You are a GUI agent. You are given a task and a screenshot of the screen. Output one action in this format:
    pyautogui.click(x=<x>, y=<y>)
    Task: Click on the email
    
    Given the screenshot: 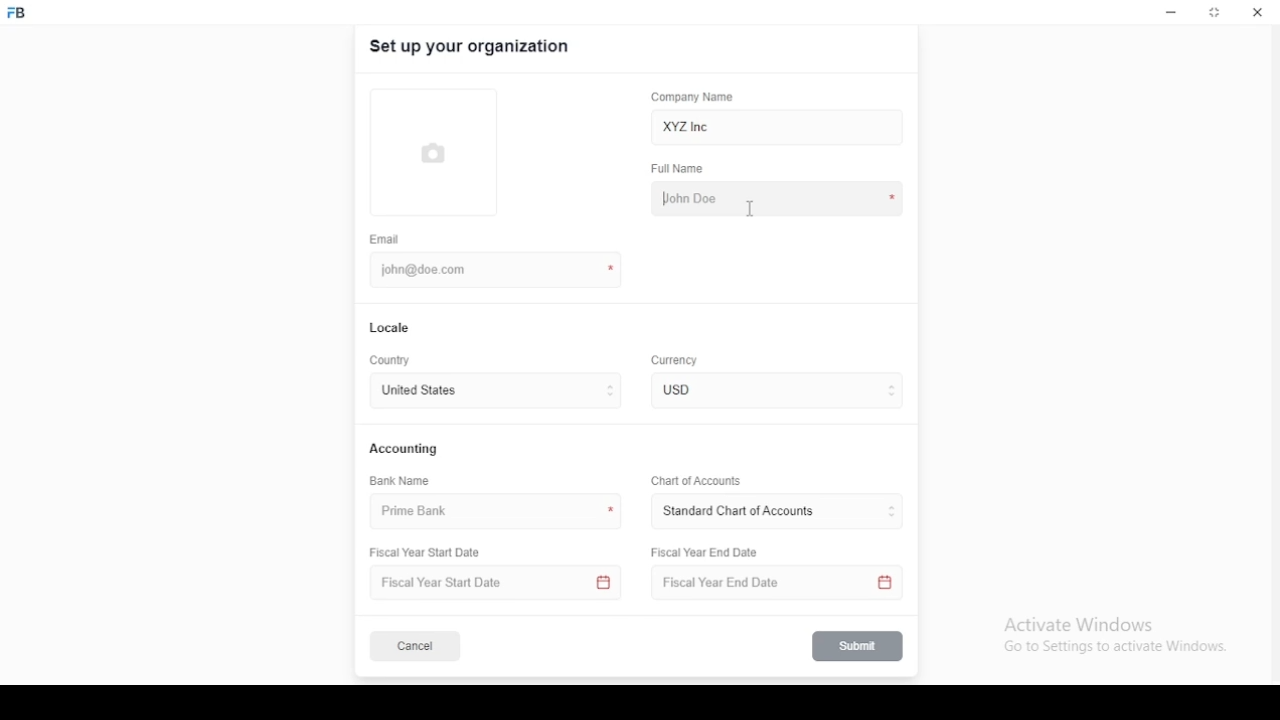 What is the action you would take?
    pyautogui.click(x=385, y=239)
    